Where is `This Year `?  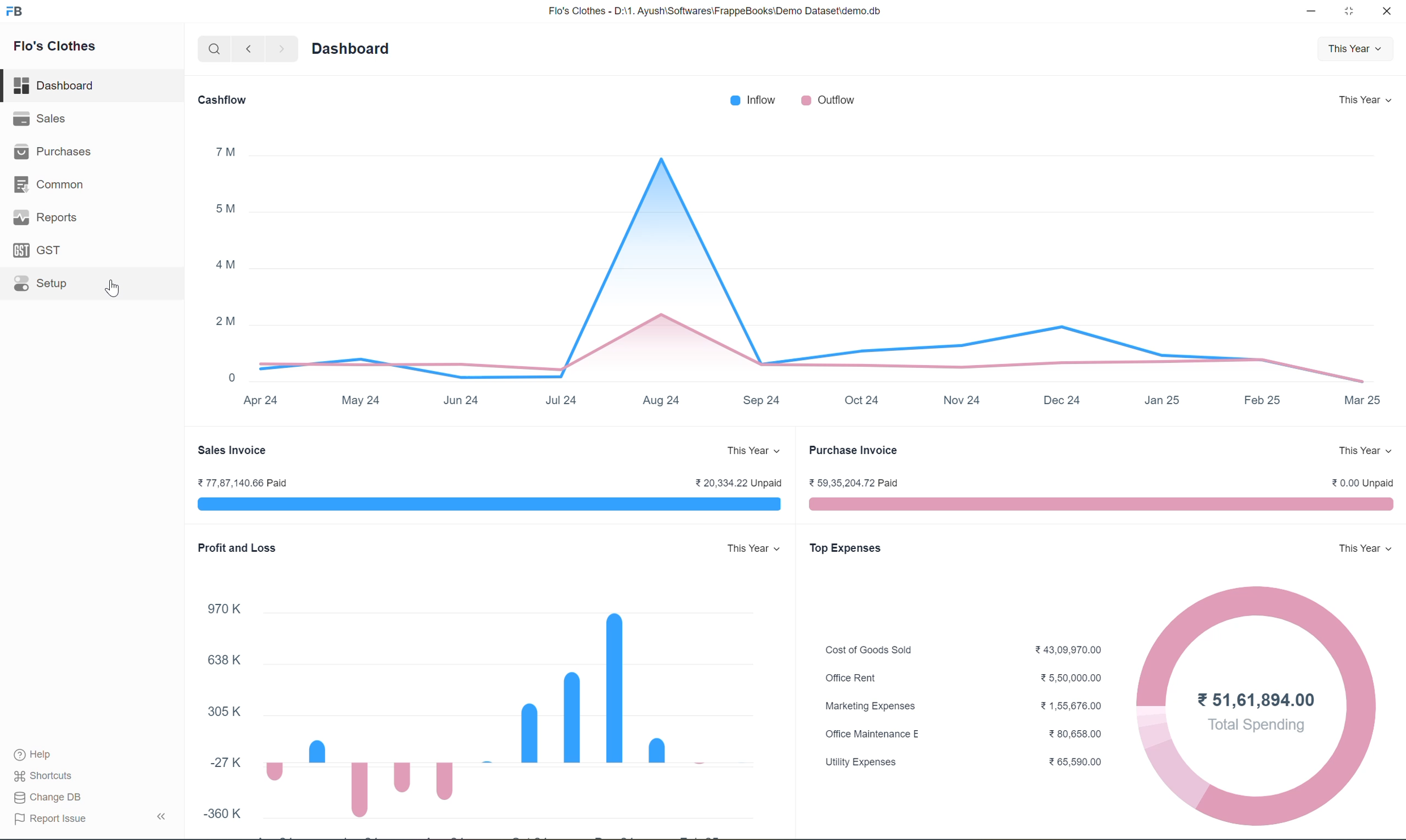 This Year  is located at coordinates (753, 451).